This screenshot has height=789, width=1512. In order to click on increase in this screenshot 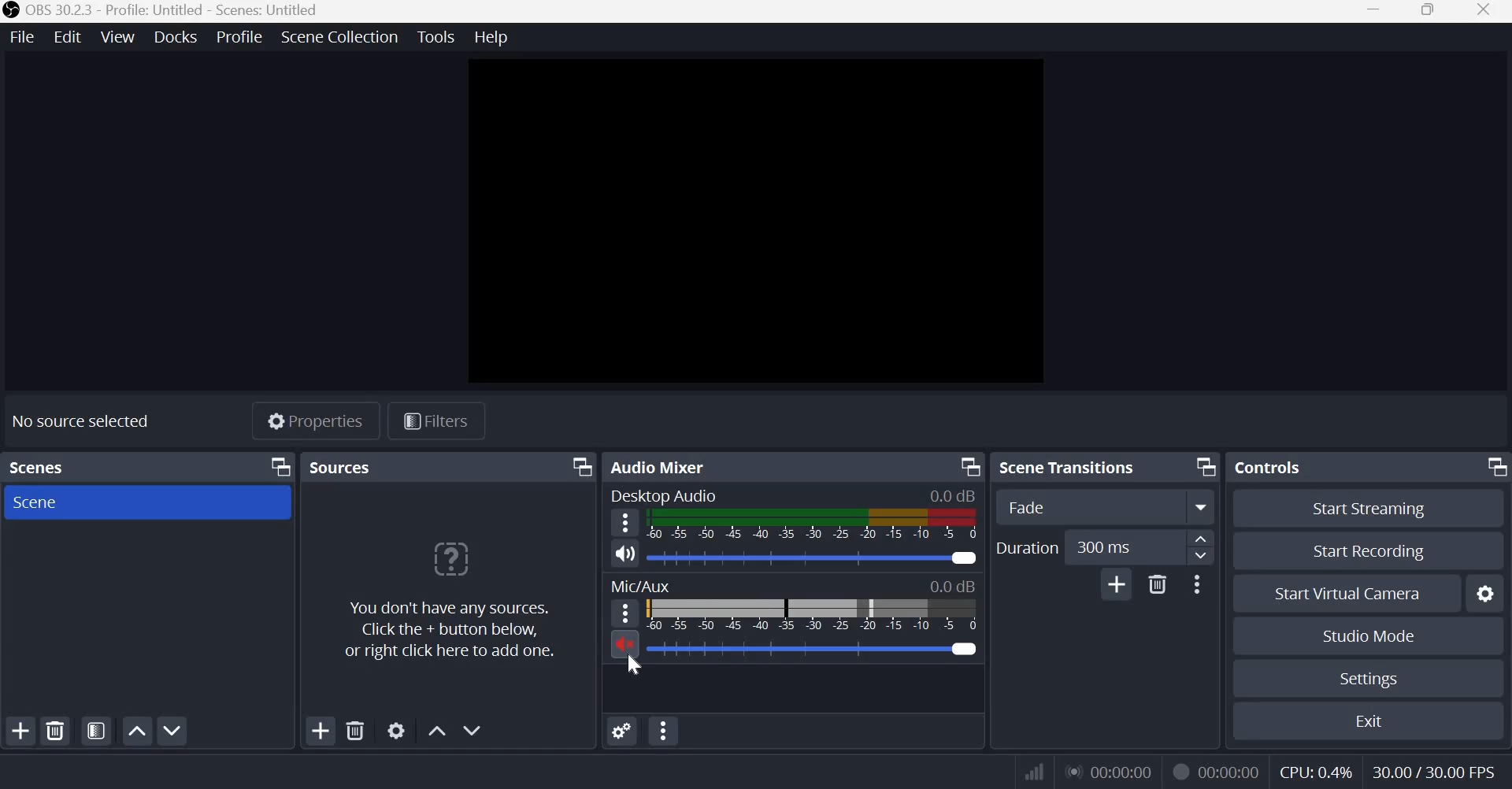, I will do `click(1201, 540)`.